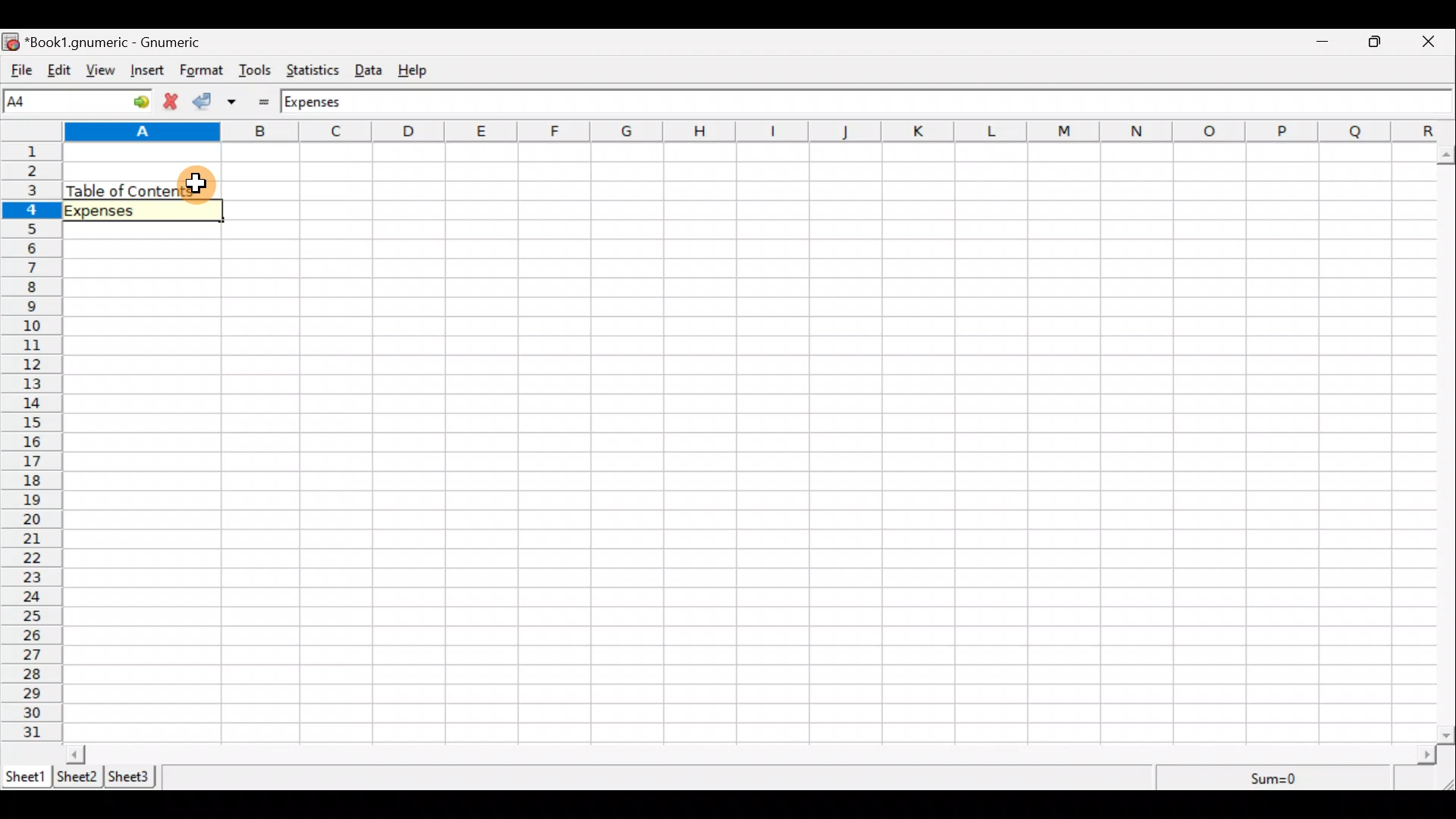 The height and width of the screenshot is (819, 1456). What do you see at coordinates (737, 132) in the screenshot?
I see `alphabets row` at bounding box center [737, 132].